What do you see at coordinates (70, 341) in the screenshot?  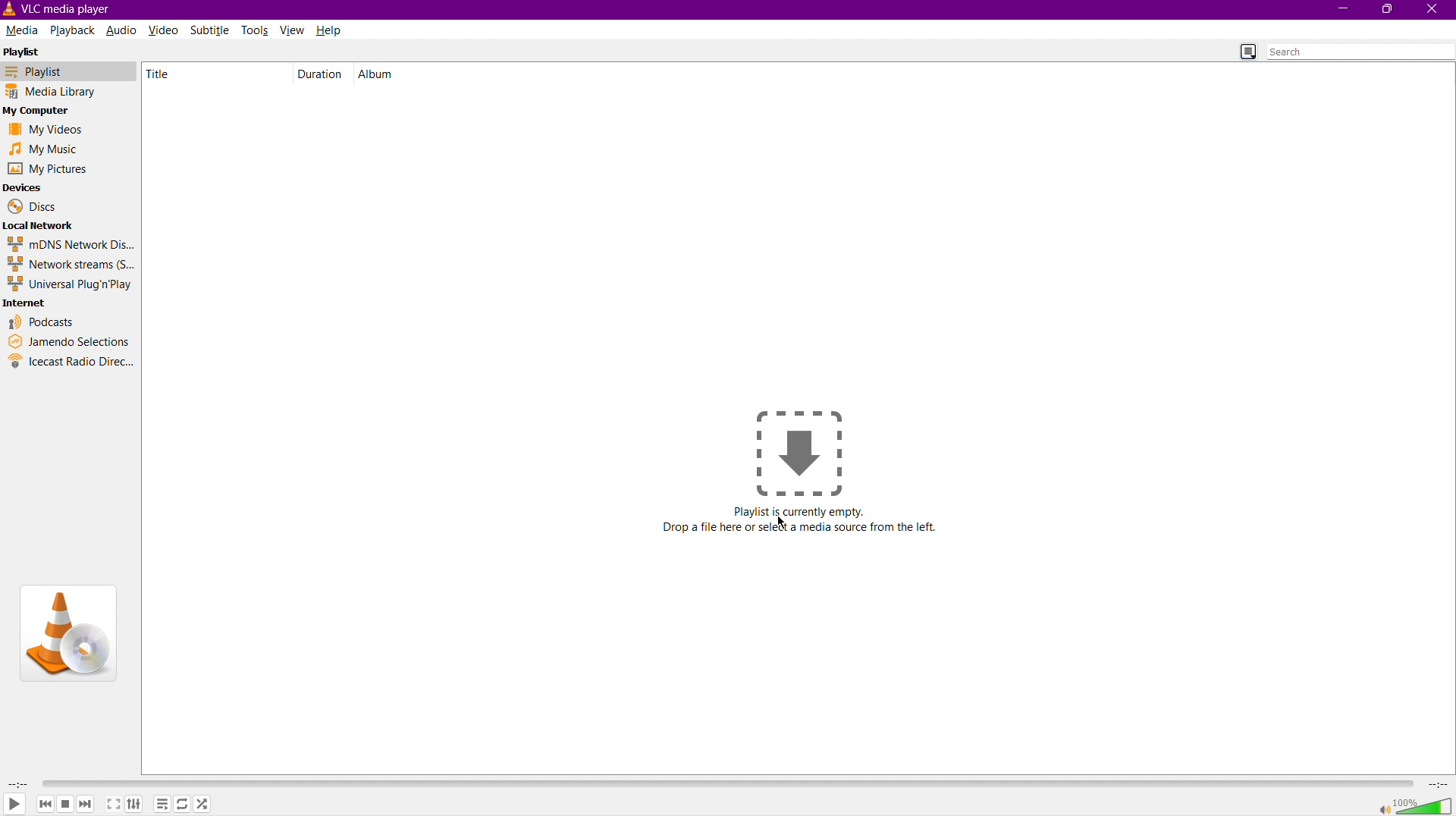 I see `Jamendo Selections` at bounding box center [70, 341].